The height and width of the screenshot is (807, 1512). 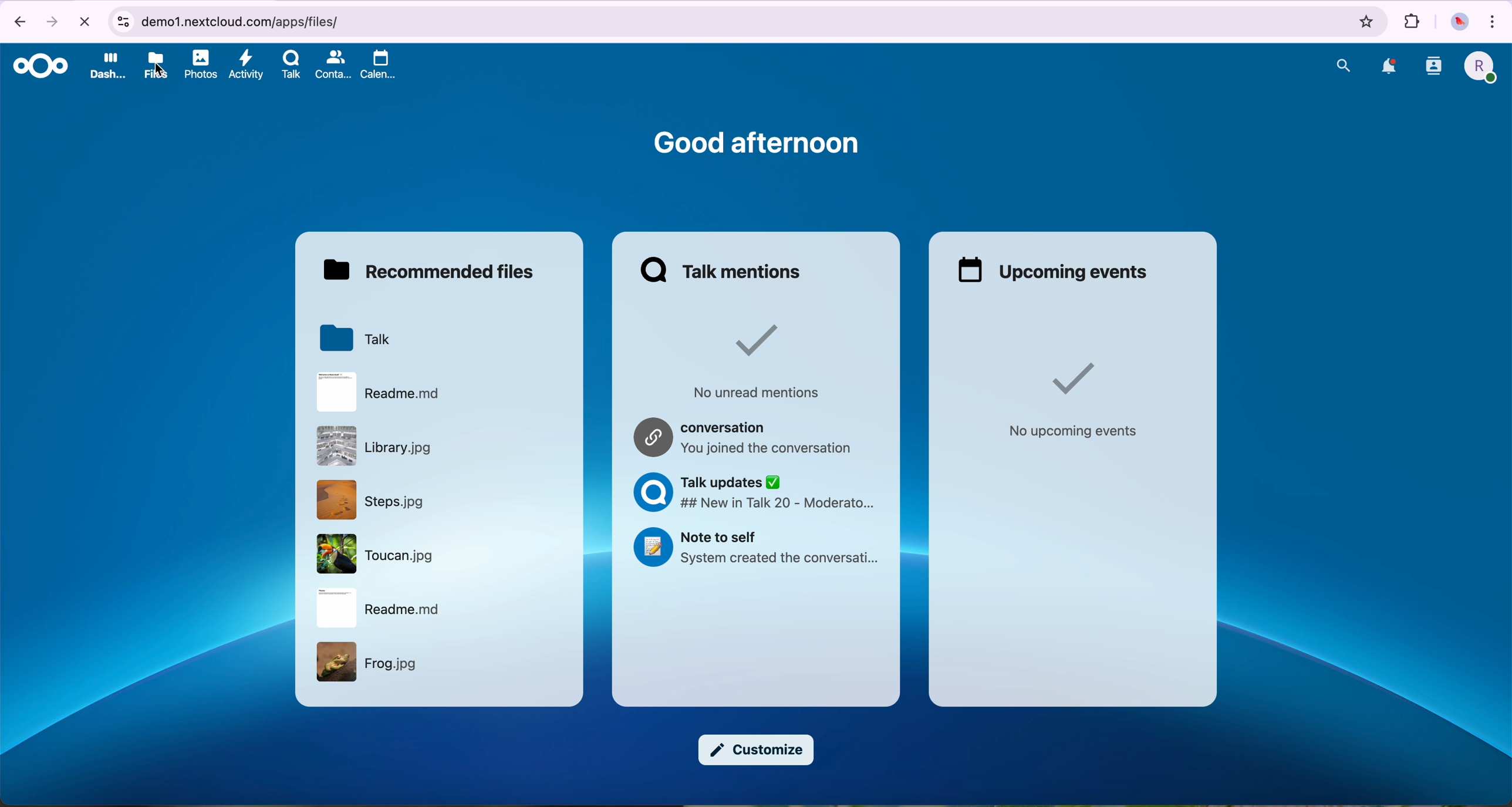 I want to click on library.jpg, so click(x=378, y=448).